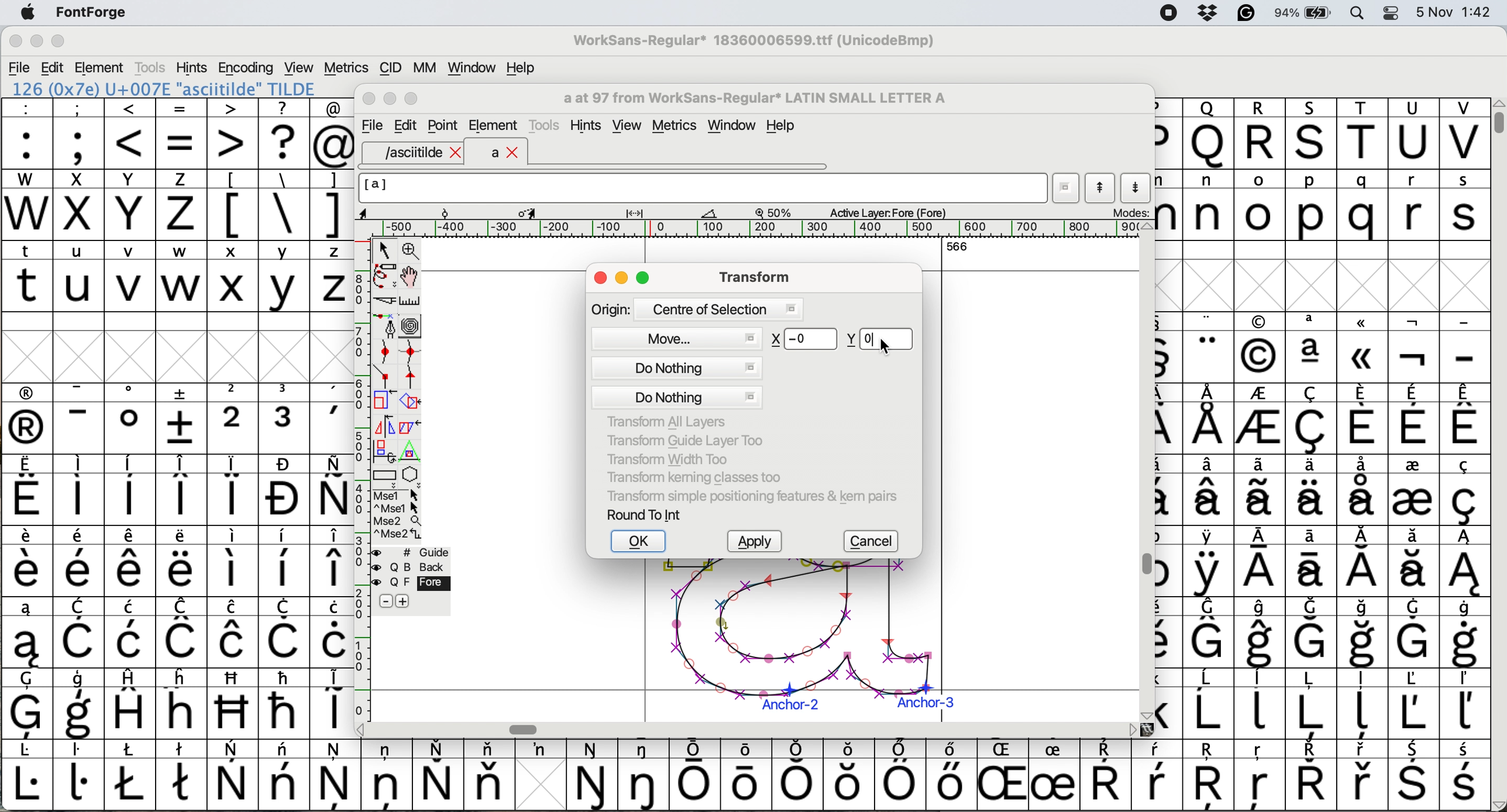 The image size is (1507, 812). I want to click on modes, so click(1130, 212).